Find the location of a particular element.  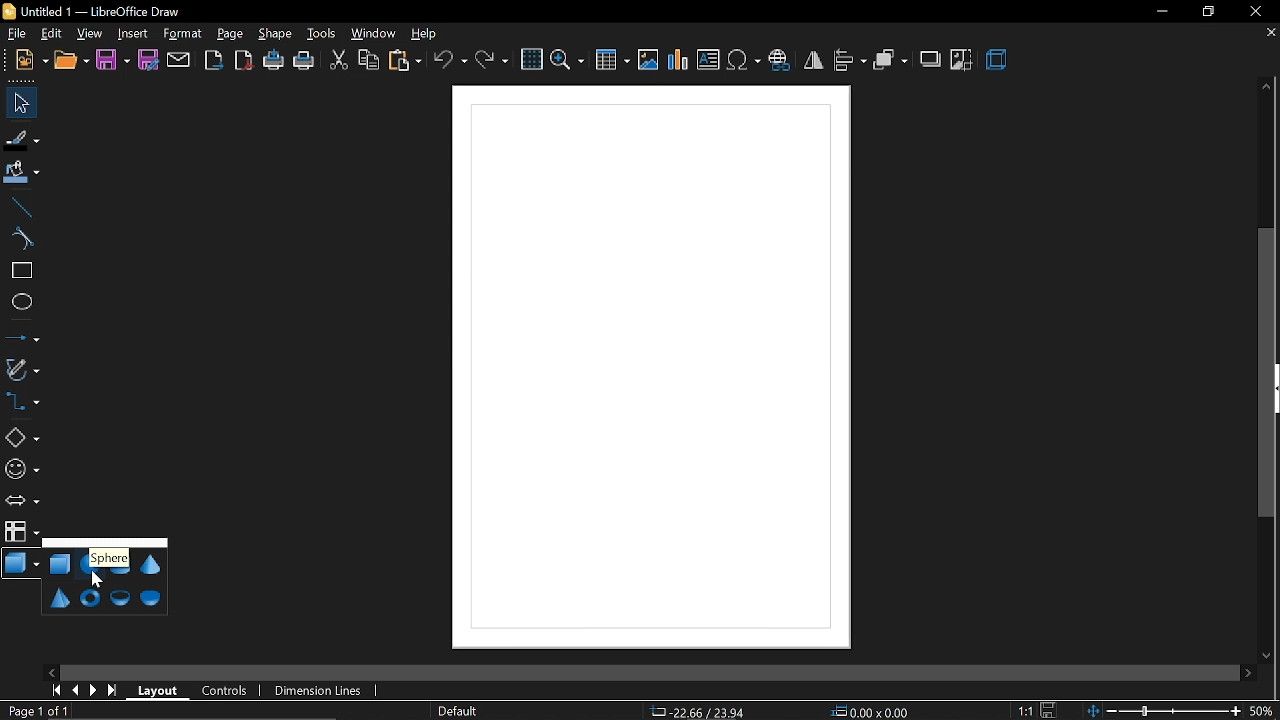

align is located at coordinates (850, 59).